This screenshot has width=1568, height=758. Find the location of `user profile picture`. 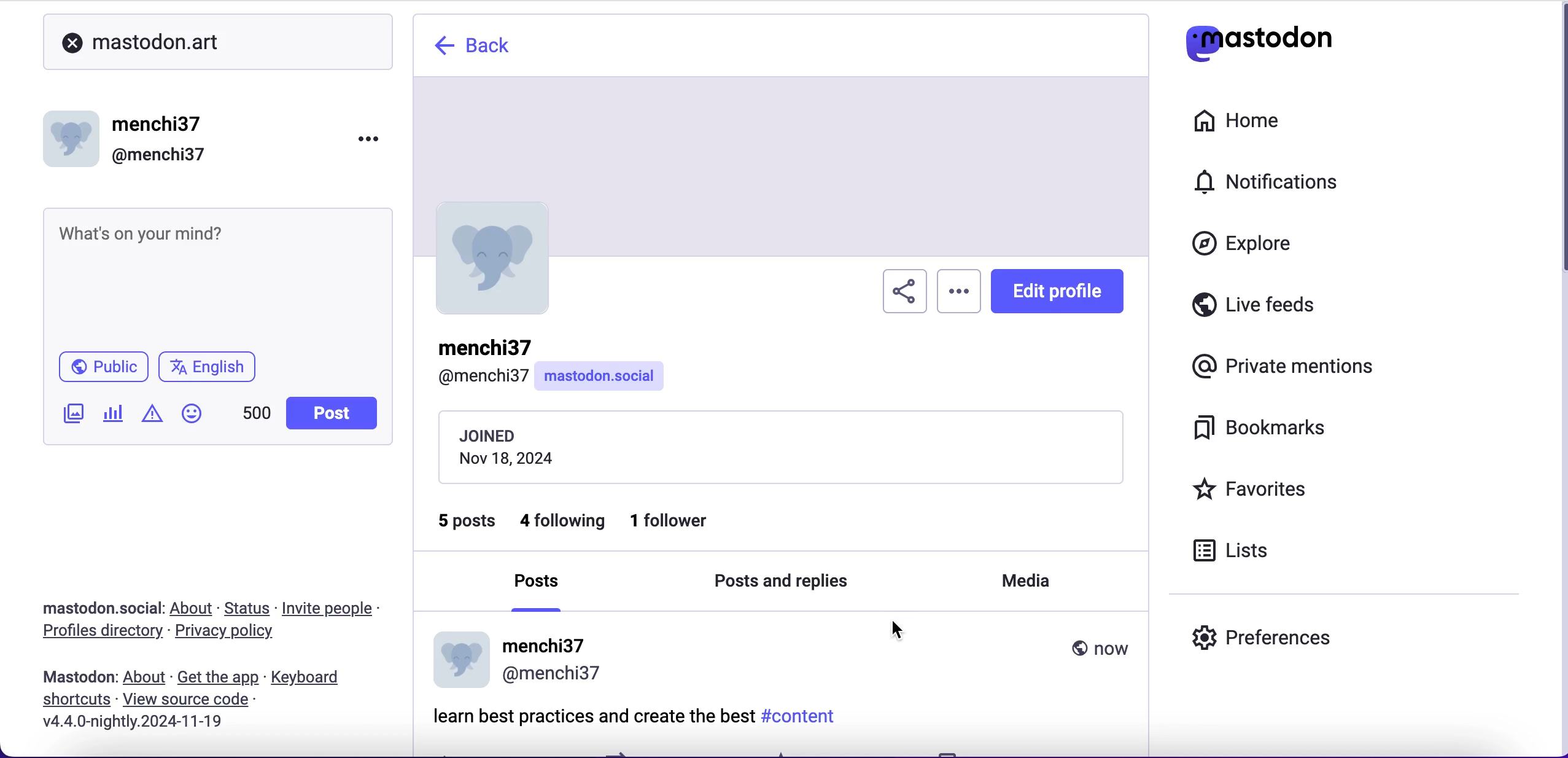

user profile picture is located at coordinates (493, 254).